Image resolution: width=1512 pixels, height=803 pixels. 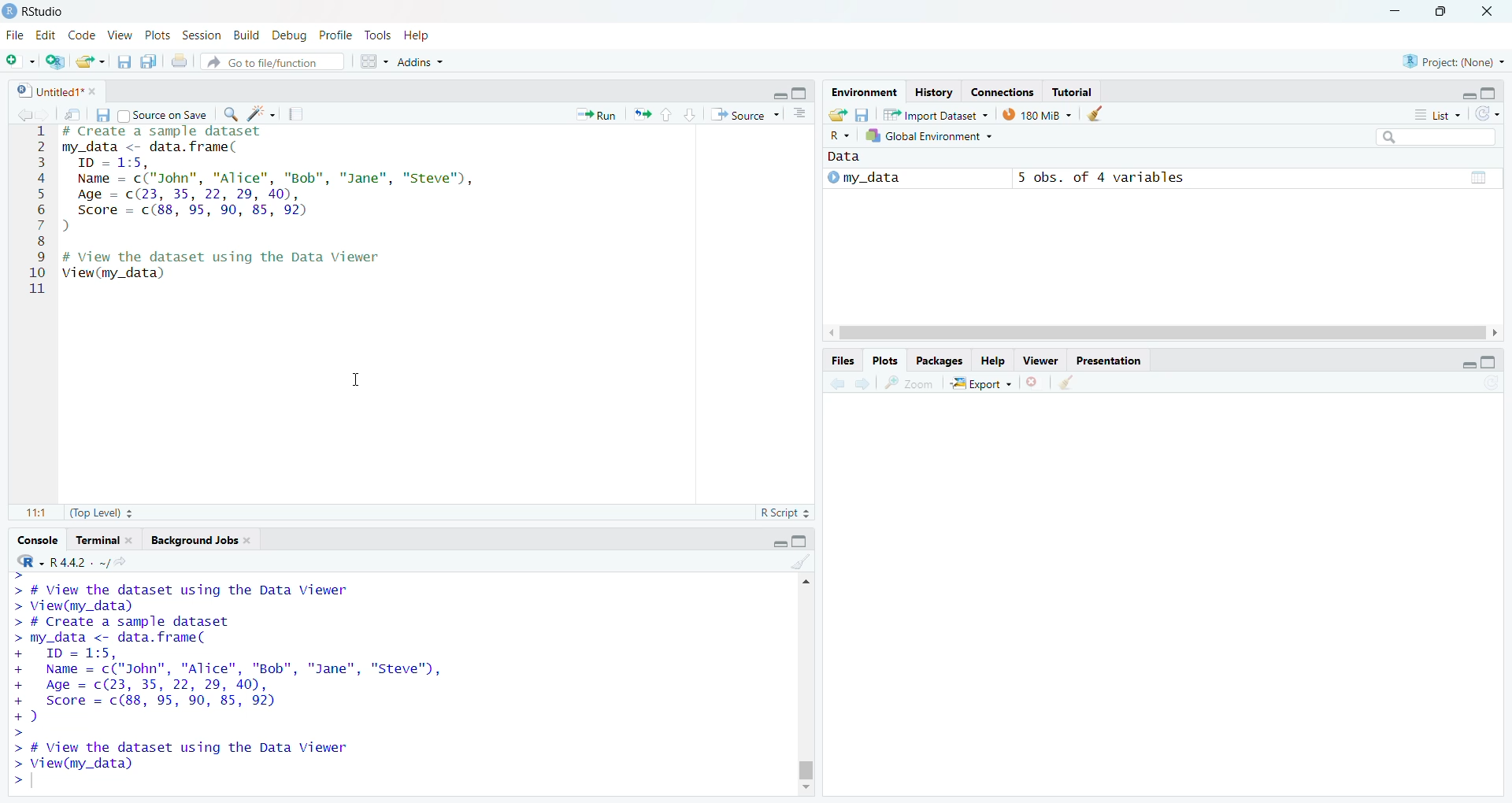 I want to click on 180MB used by R session, so click(x=1035, y=115).